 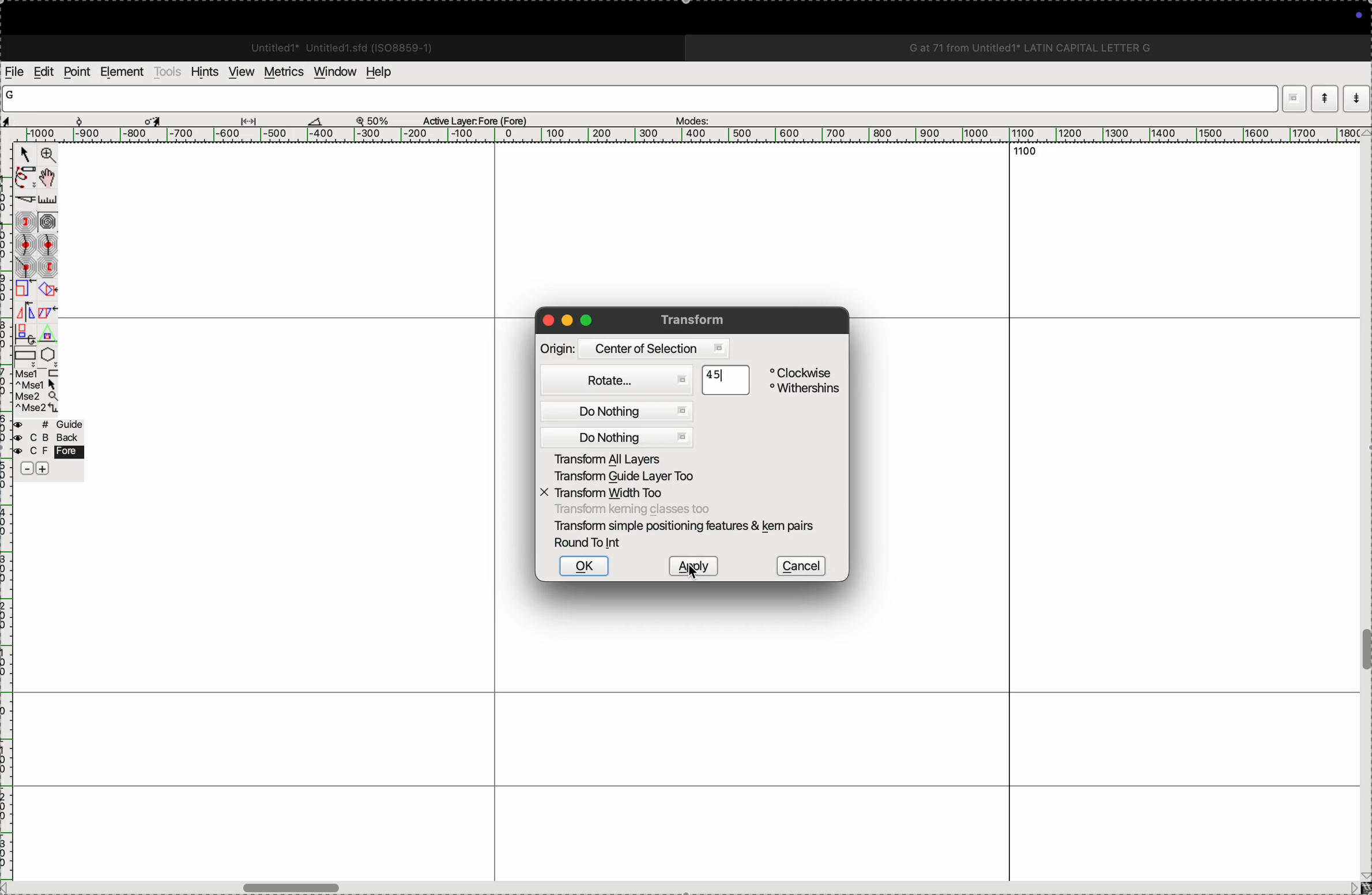 I want to click on Zoom, so click(x=47, y=155).